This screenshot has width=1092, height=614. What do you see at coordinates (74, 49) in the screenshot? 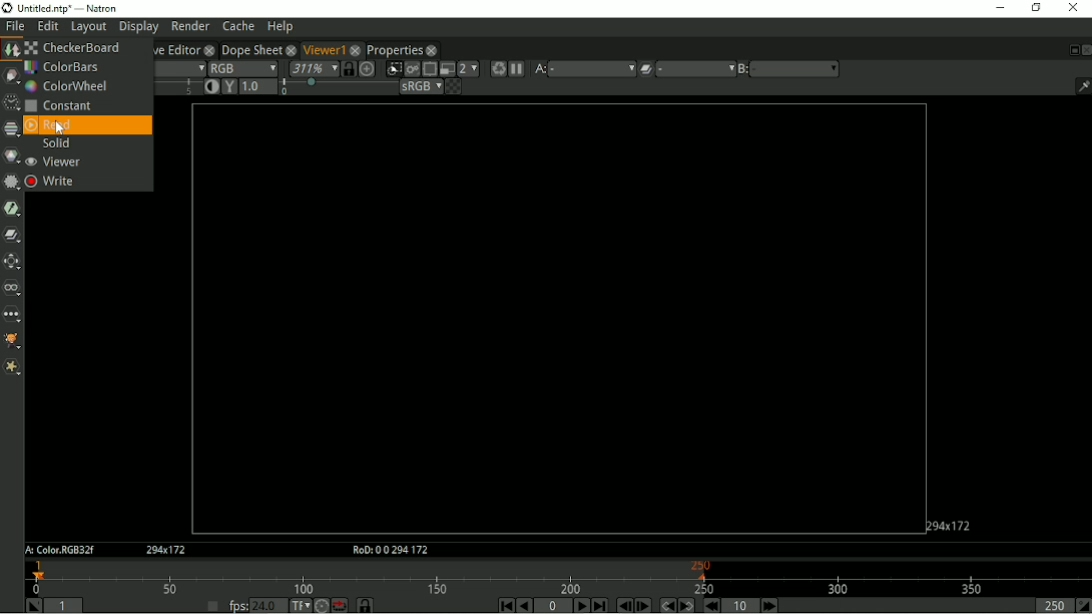
I see `Checker Board` at bounding box center [74, 49].